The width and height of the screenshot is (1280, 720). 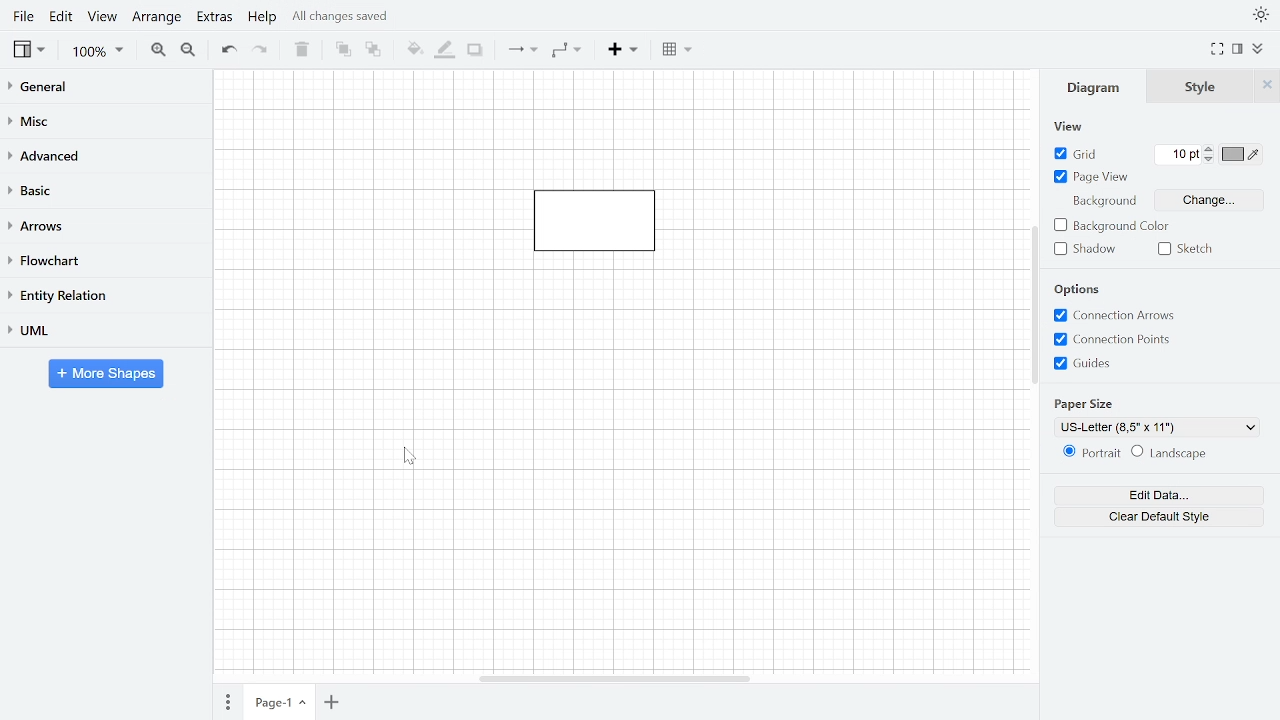 What do you see at coordinates (103, 190) in the screenshot?
I see `Basic` at bounding box center [103, 190].